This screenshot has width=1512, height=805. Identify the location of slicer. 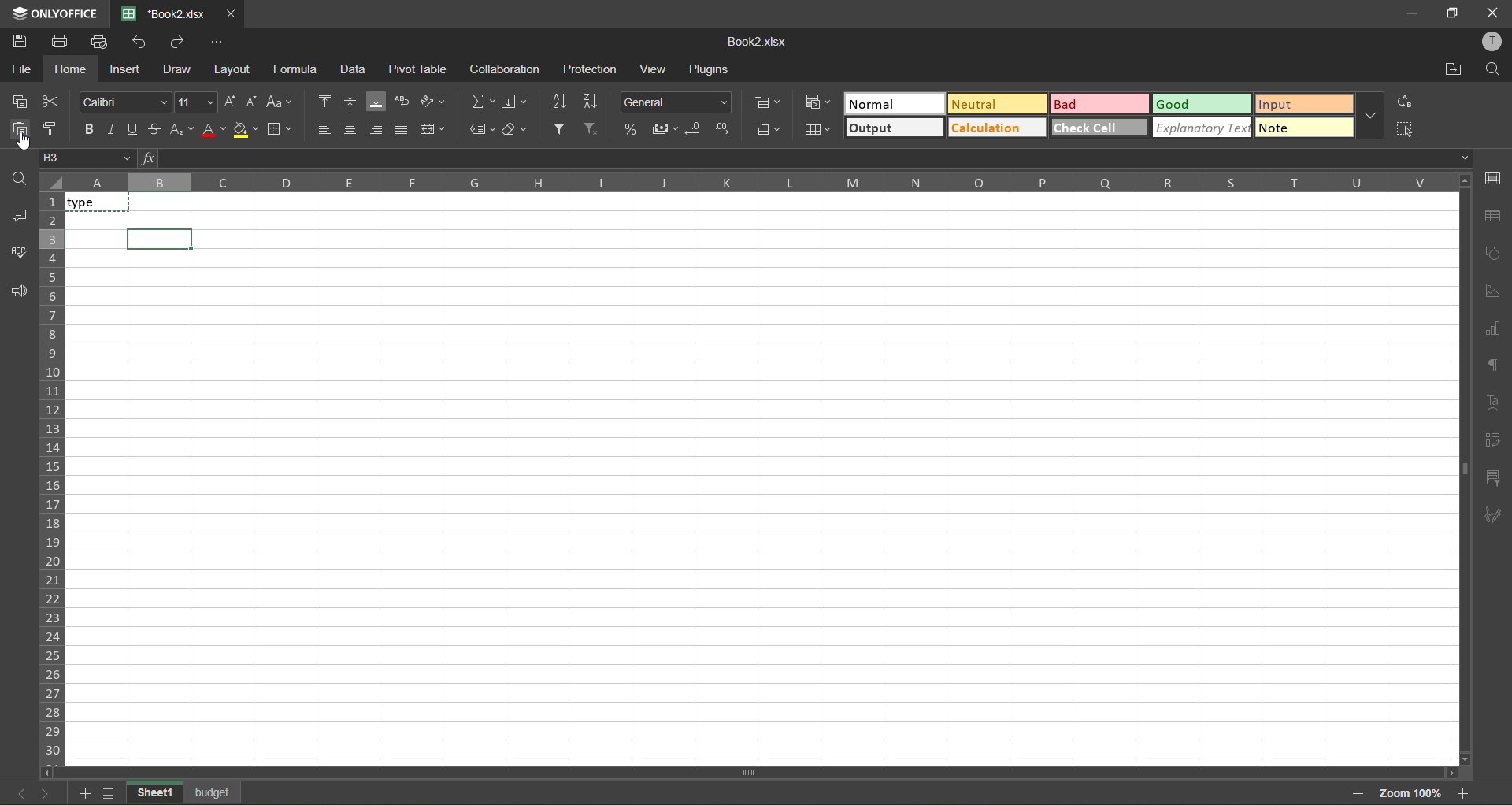
(1490, 476).